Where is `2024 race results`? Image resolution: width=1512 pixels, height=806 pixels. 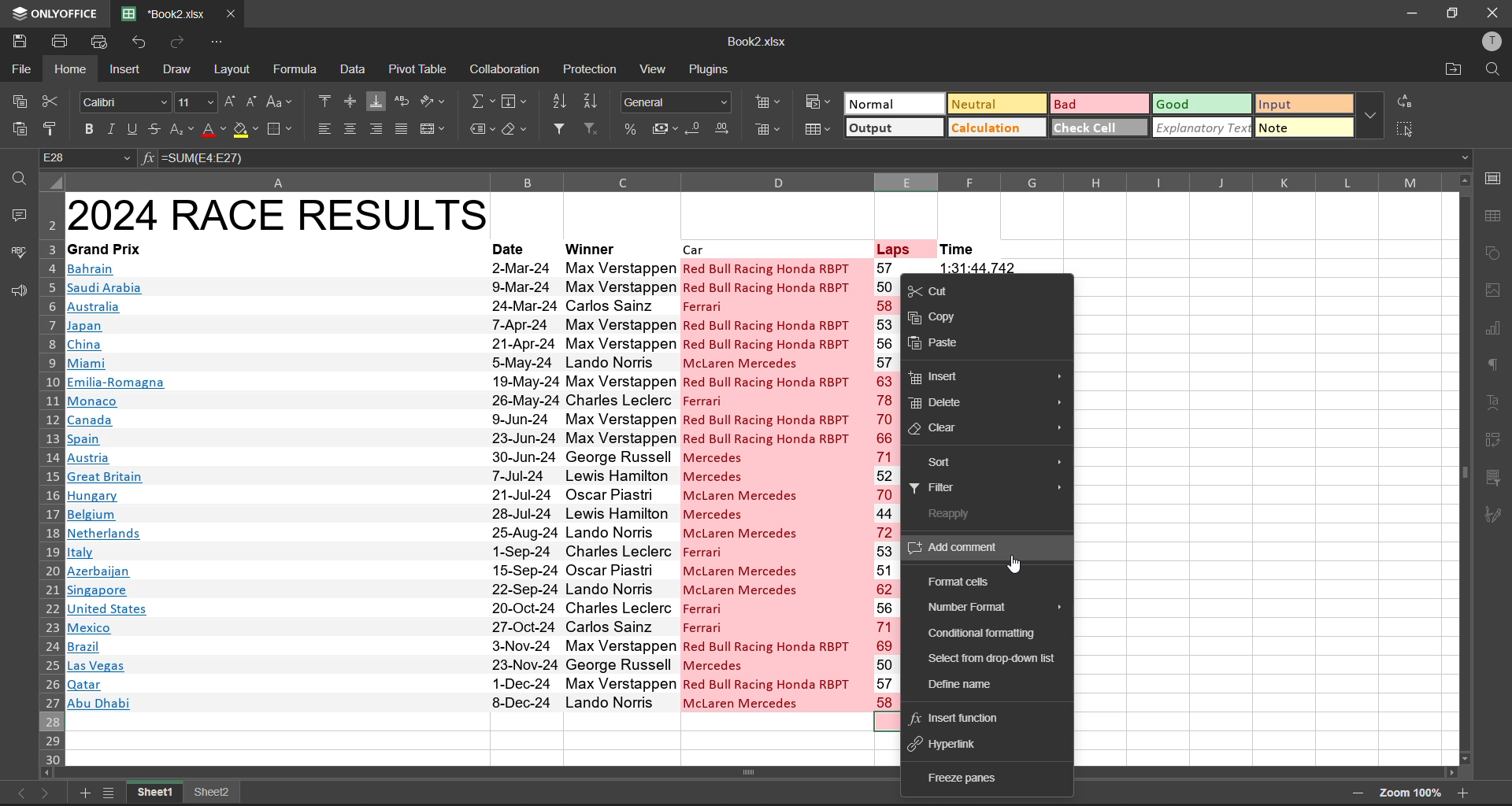 2024 race results is located at coordinates (280, 214).